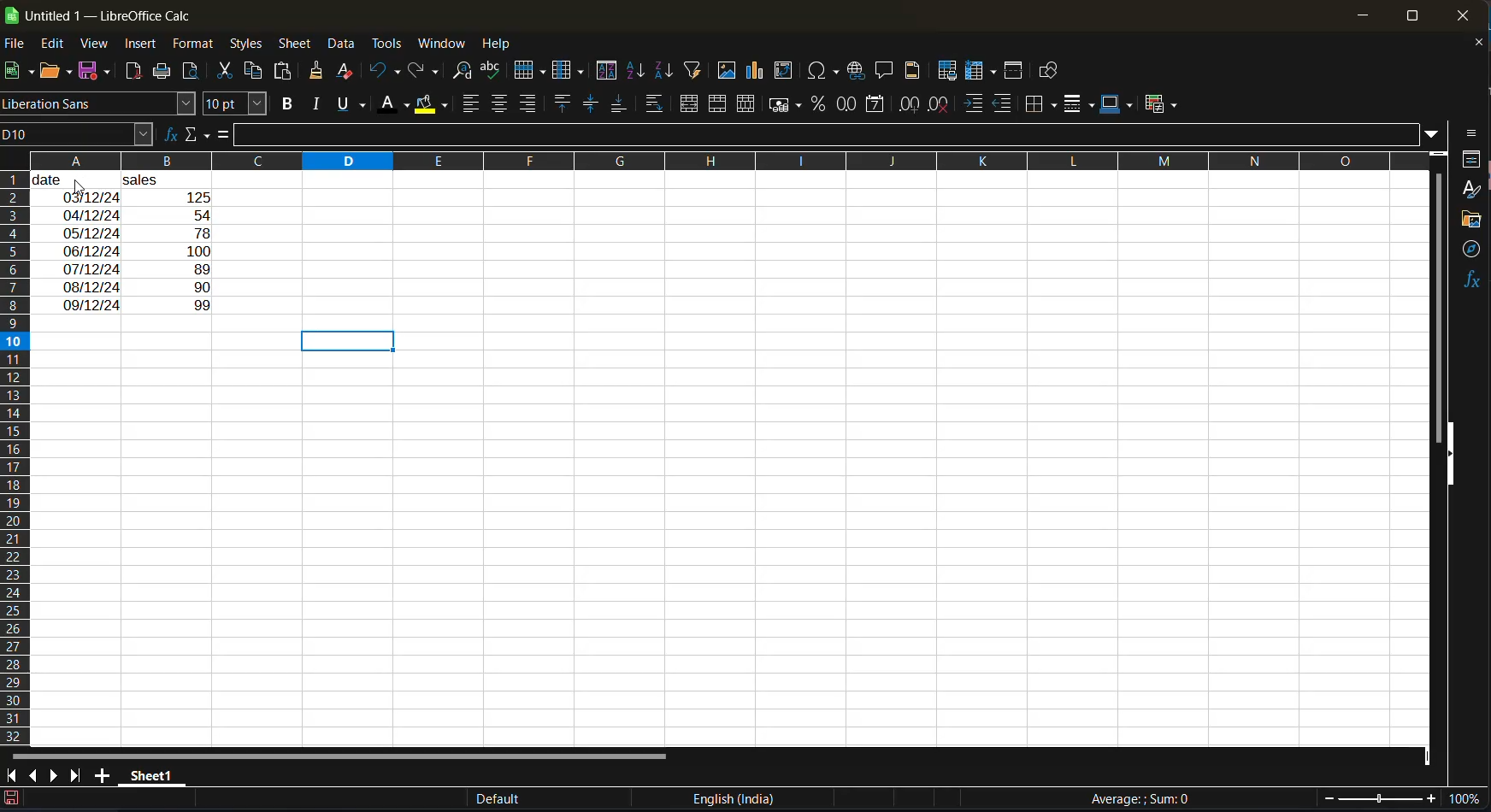 Image resolution: width=1491 pixels, height=812 pixels. Describe the element at coordinates (390, 45) in the screenshot. I see `tools` at that location.